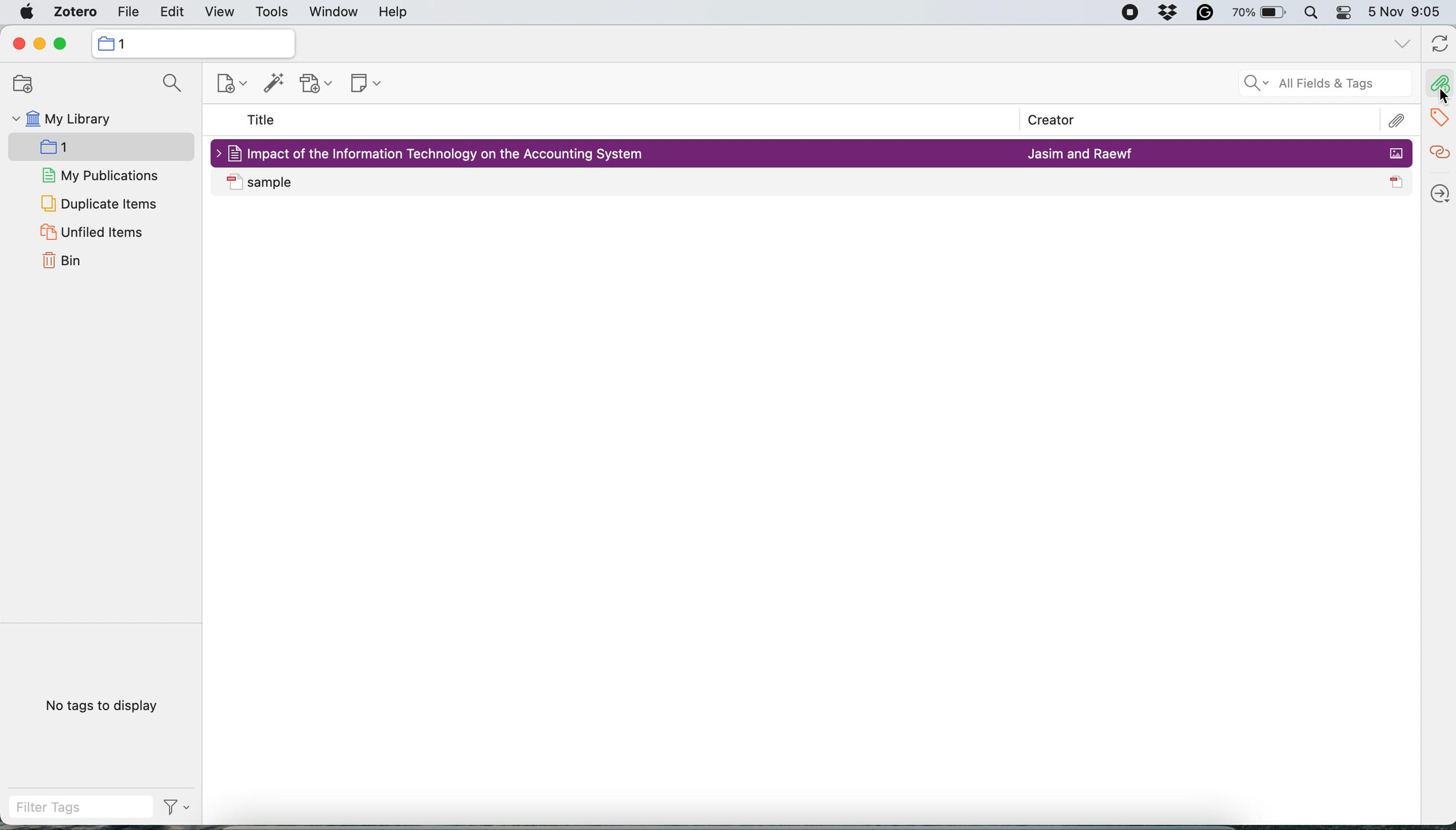 This screenshot has height=830, width=1456. I want to click on duplicate items, so click(99, 203).